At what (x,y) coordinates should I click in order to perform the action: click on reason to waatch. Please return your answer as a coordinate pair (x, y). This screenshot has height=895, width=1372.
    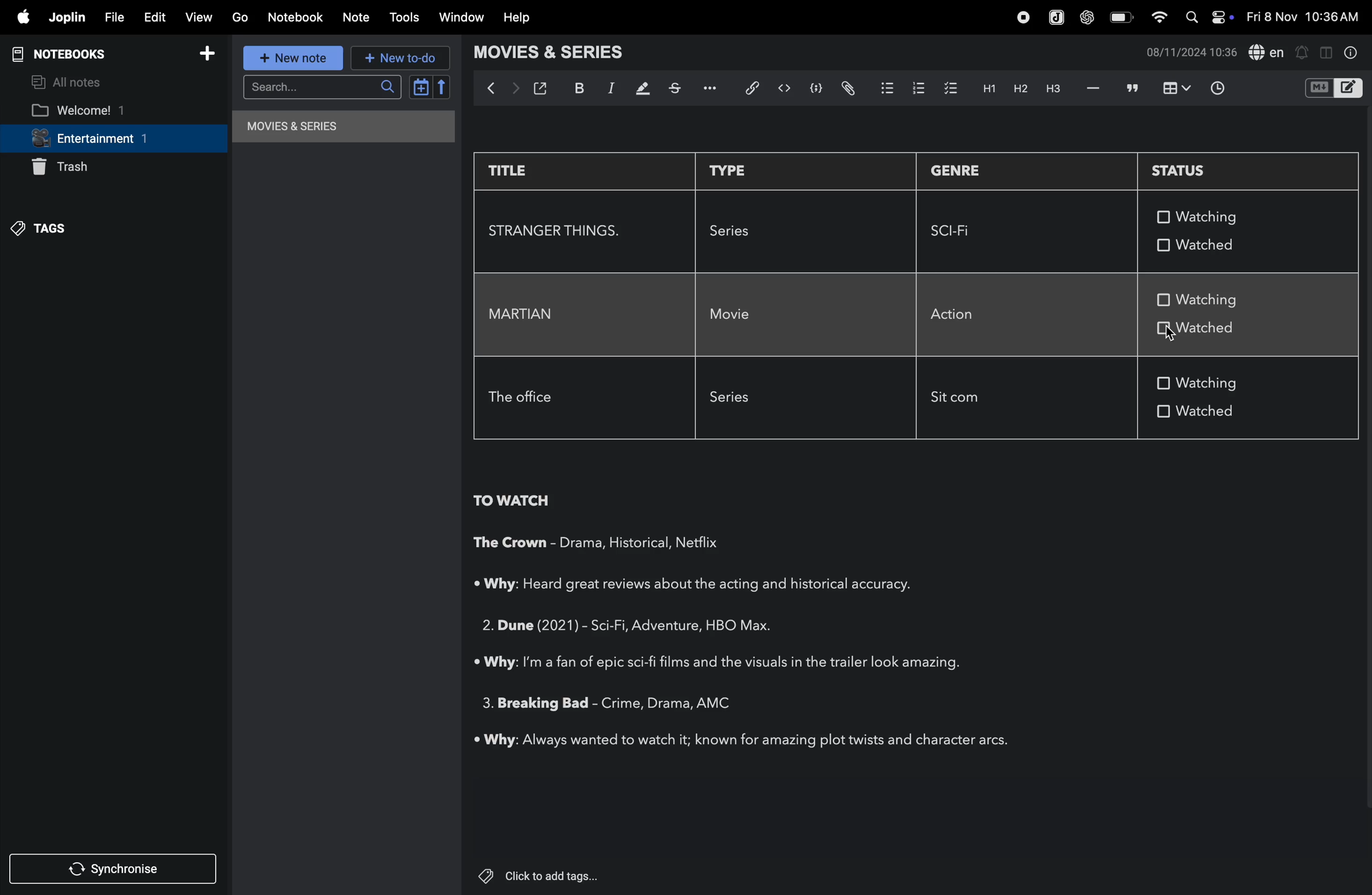
    Looking at the image, I should click on (723, 661).